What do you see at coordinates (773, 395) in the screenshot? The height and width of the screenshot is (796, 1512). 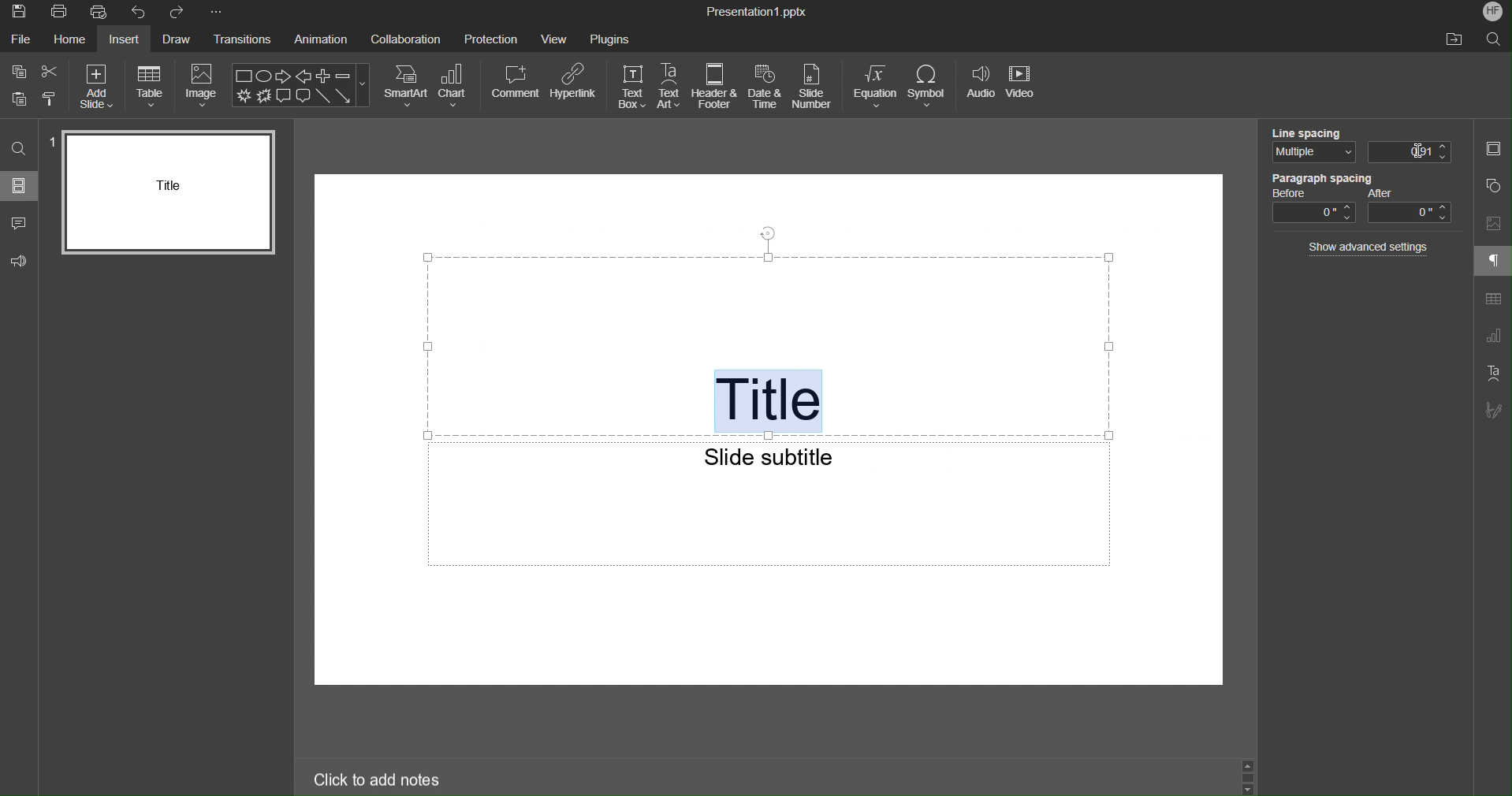 I see `Title` at bounding box center [773, 395].